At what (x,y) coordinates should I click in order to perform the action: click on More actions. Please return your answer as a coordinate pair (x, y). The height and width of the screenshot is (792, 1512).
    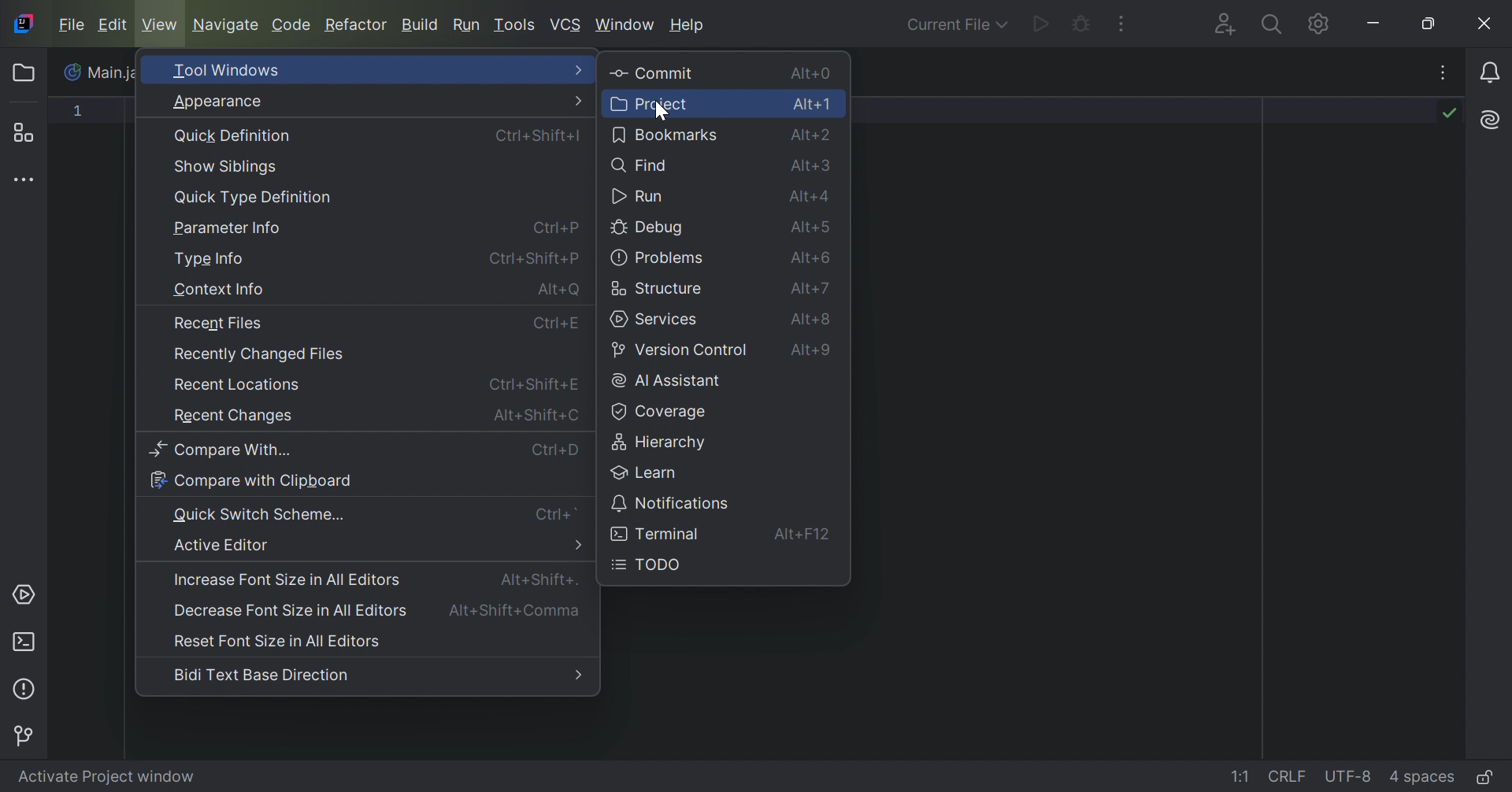
    Looking at the image, I should click on (1122, 24).